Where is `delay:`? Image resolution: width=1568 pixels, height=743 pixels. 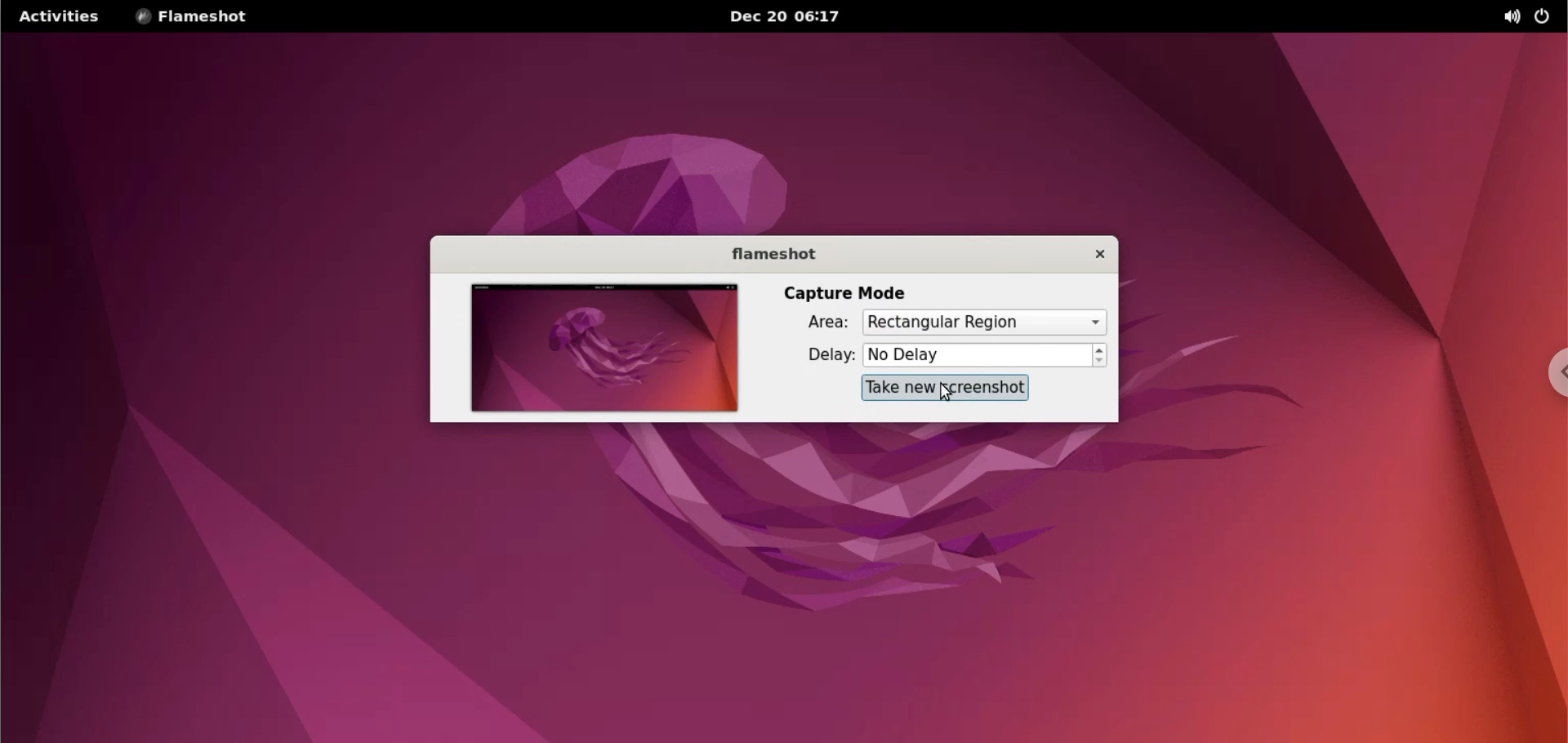
delay: is located at coordinates (817, 357).